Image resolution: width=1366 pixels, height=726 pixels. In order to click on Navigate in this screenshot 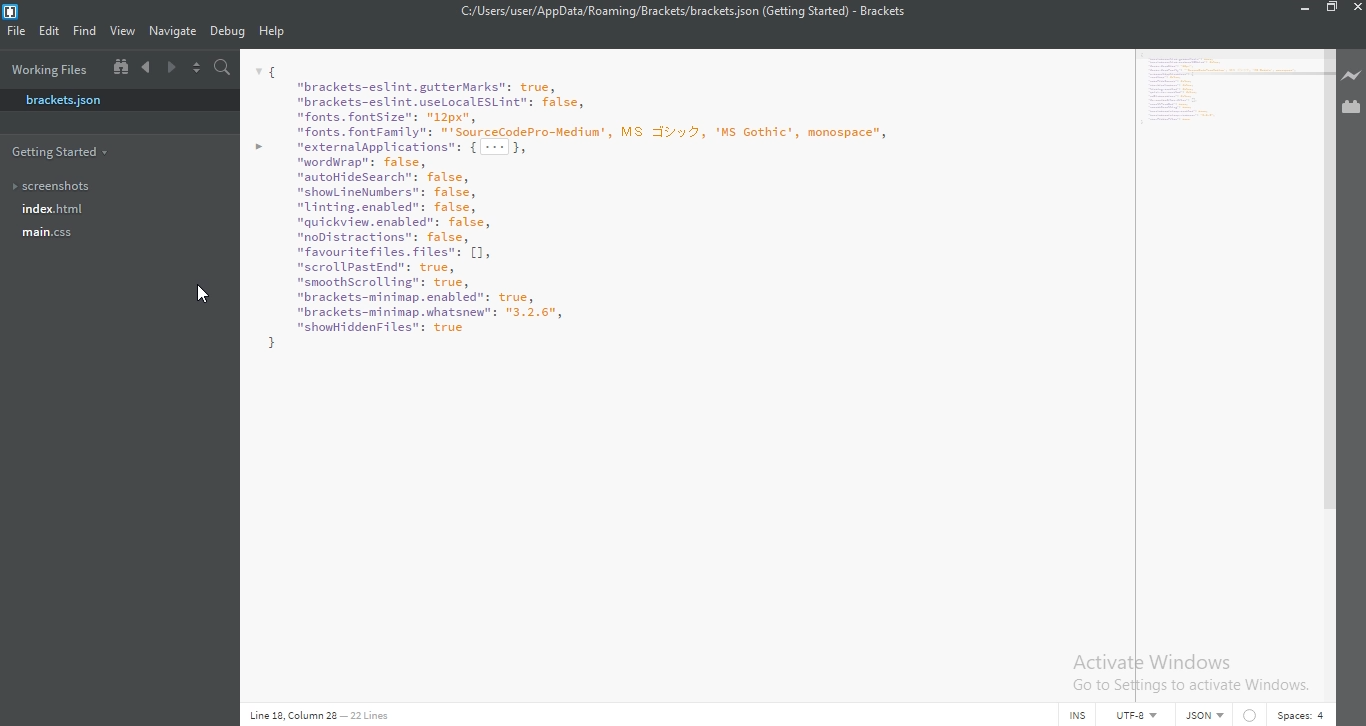, I will do `click(172, 32)`.